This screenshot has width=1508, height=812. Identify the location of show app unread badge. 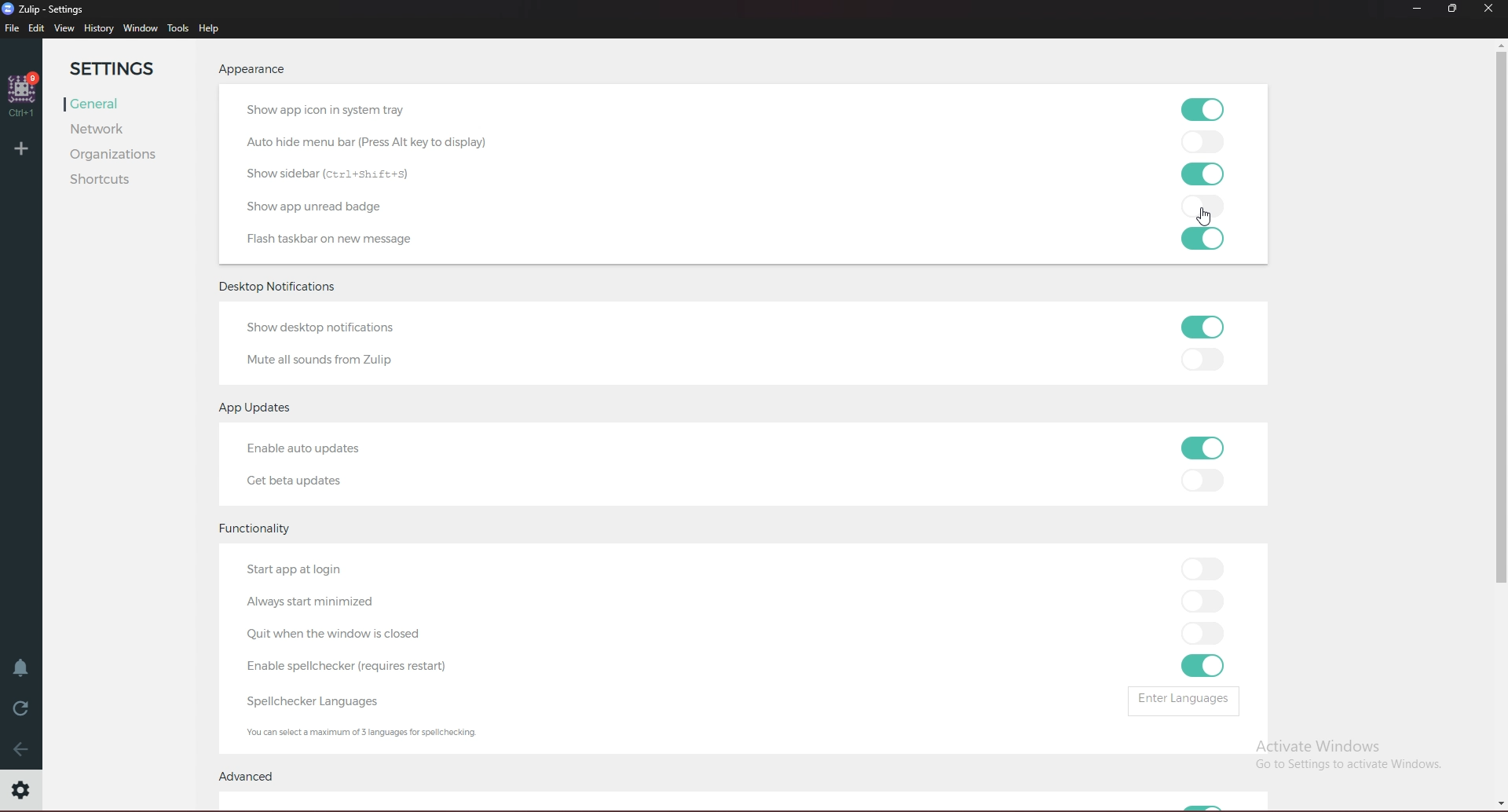
(318, 208).